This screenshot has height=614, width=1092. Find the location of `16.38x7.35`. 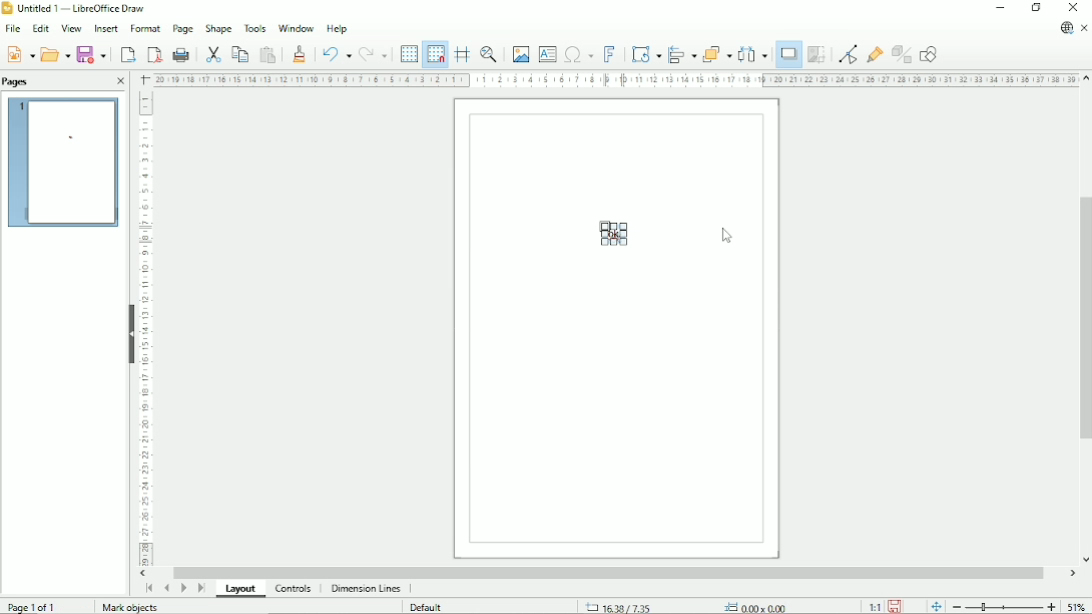

16.38x7.35 is located at coordinates (617, 606).